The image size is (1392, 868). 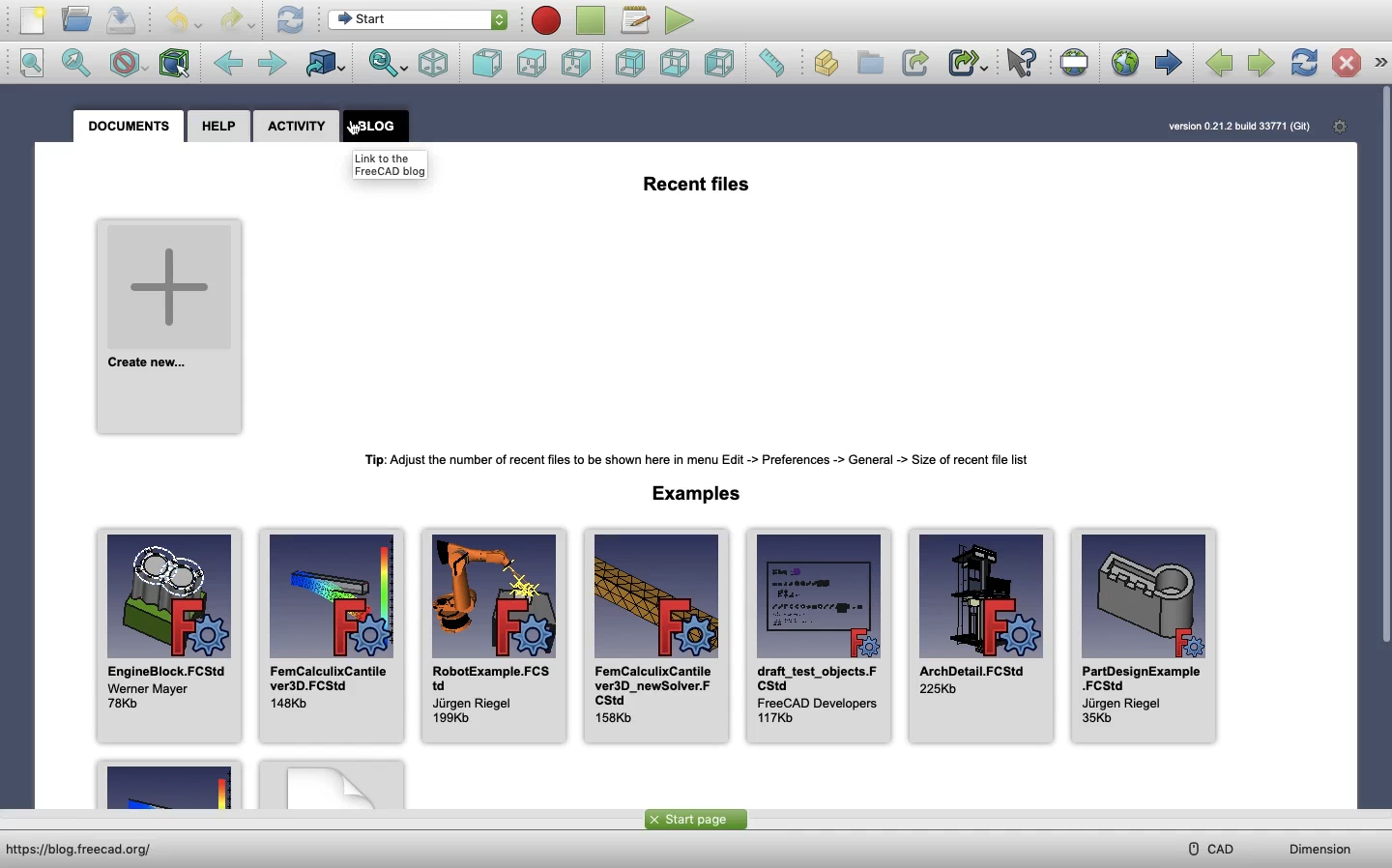 I want to click on Top, so click(x=530, y=63).